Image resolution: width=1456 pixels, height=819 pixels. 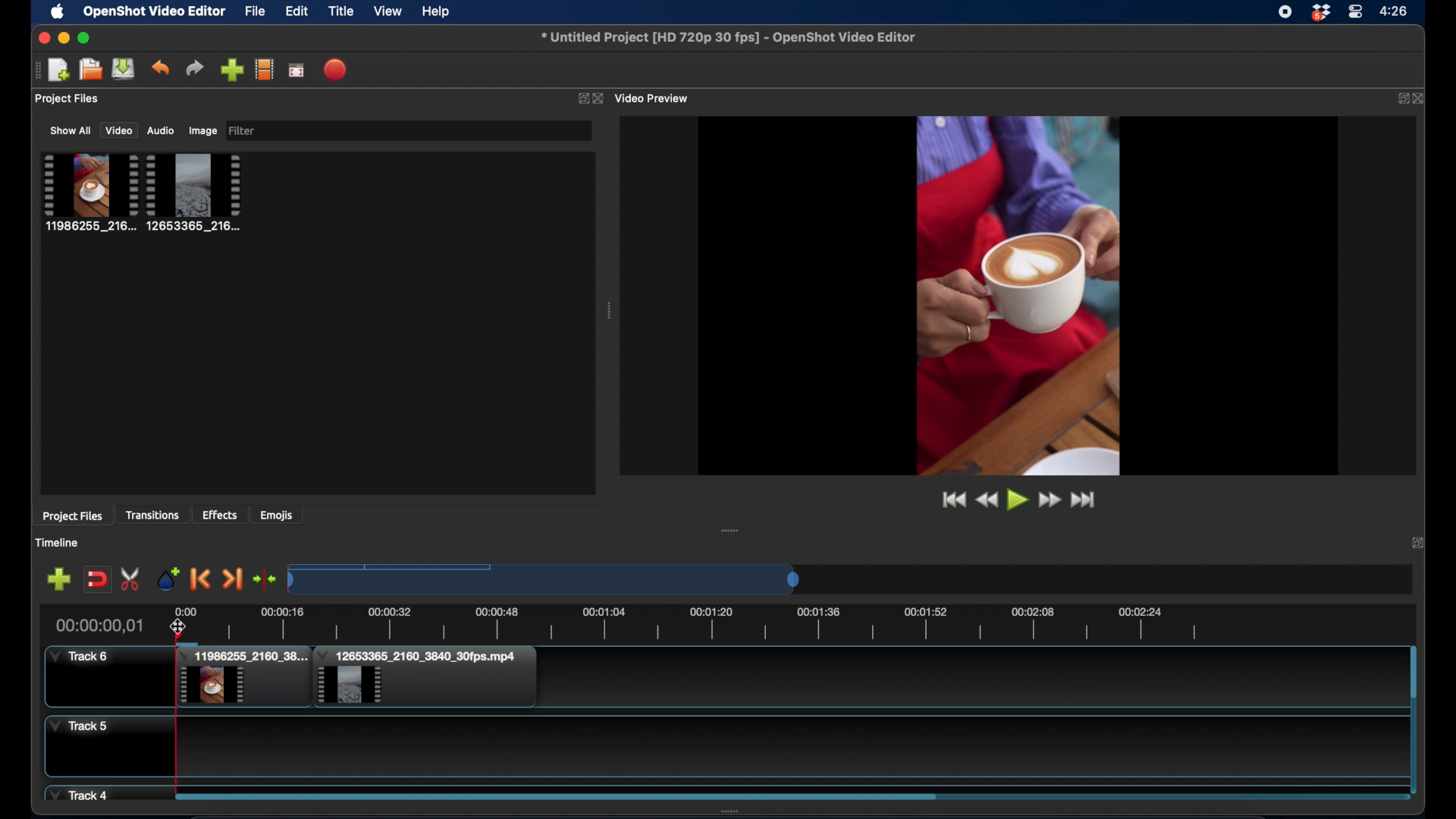 What do you see at coordinates (731, 530) in the screenshot?
I see `drag handle` at bounding box center [731, 530].